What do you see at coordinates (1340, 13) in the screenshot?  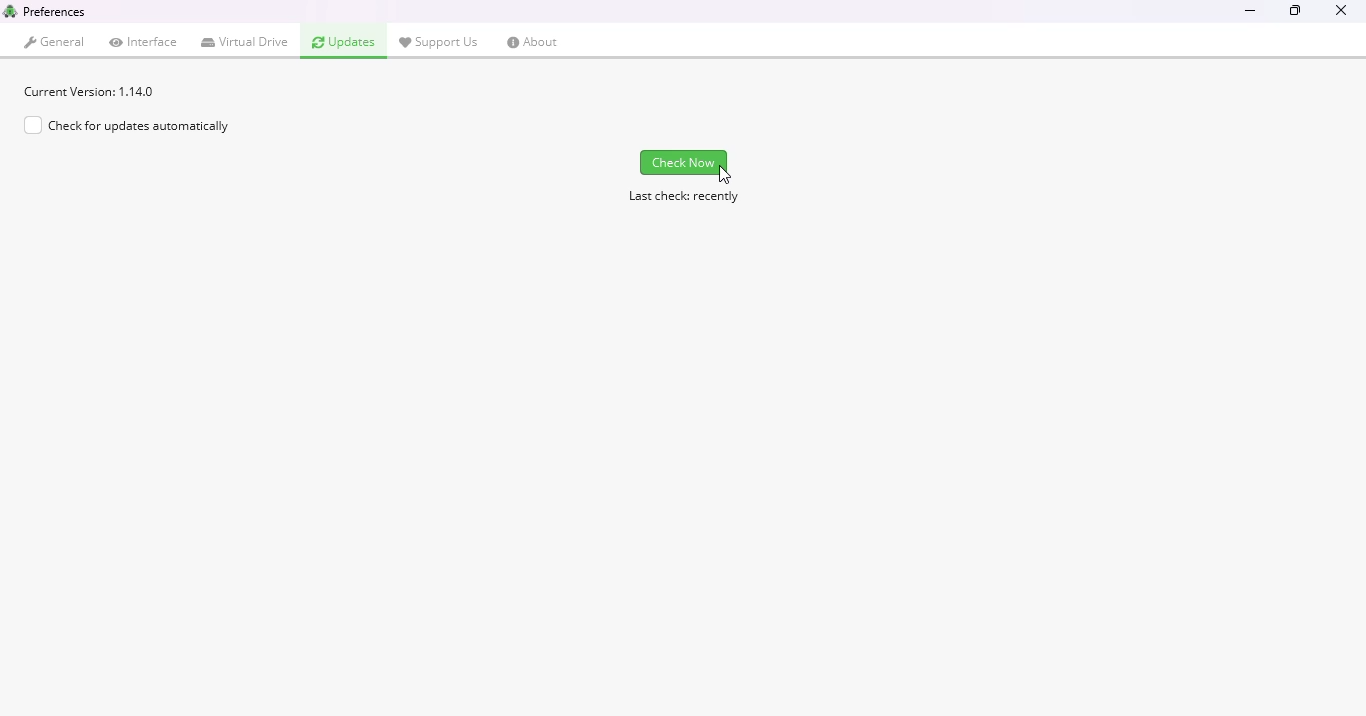 I see `close` at bounding box center [1340, 13].